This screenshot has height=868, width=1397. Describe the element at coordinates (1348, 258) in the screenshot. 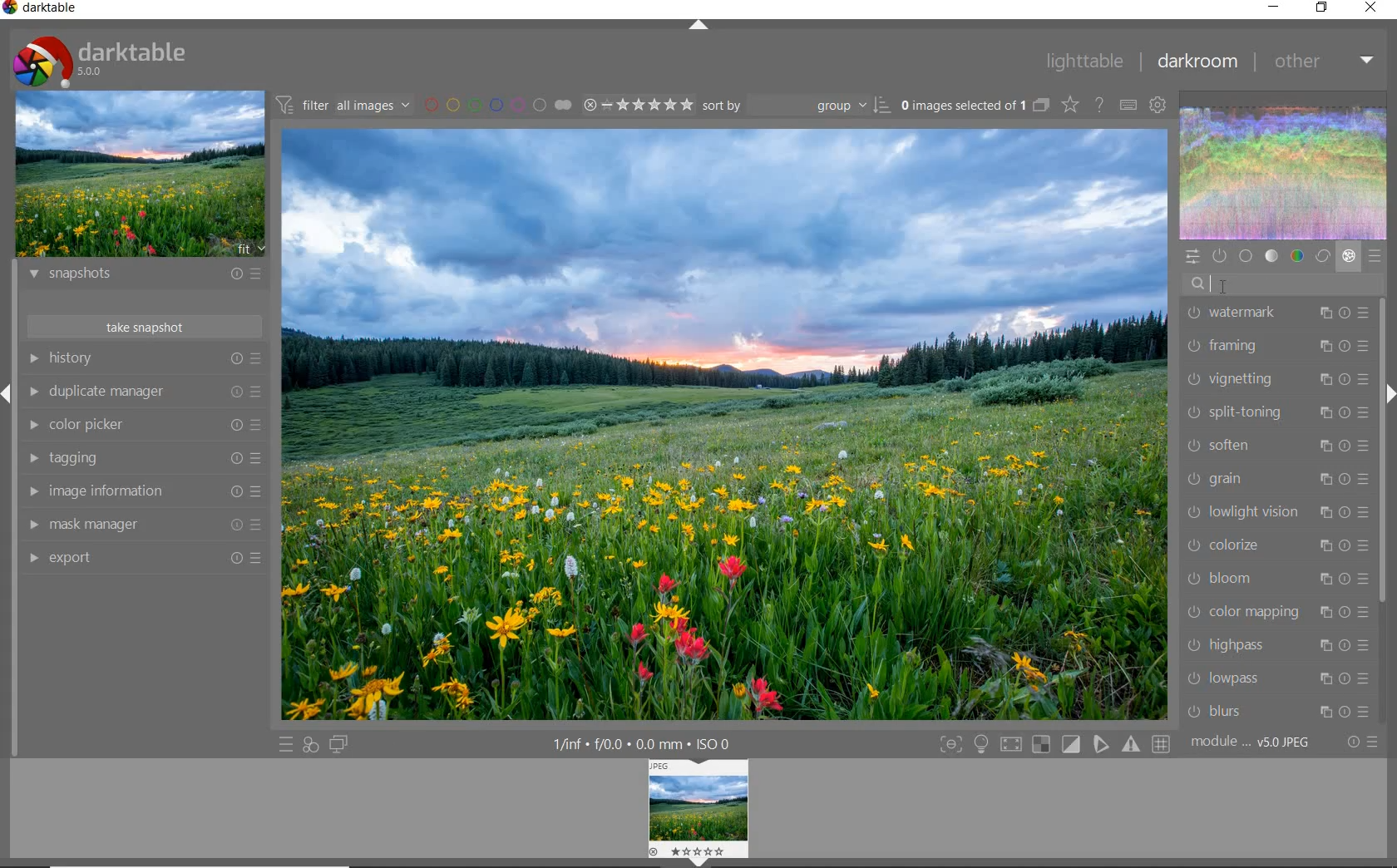

I see `effect` at that location.